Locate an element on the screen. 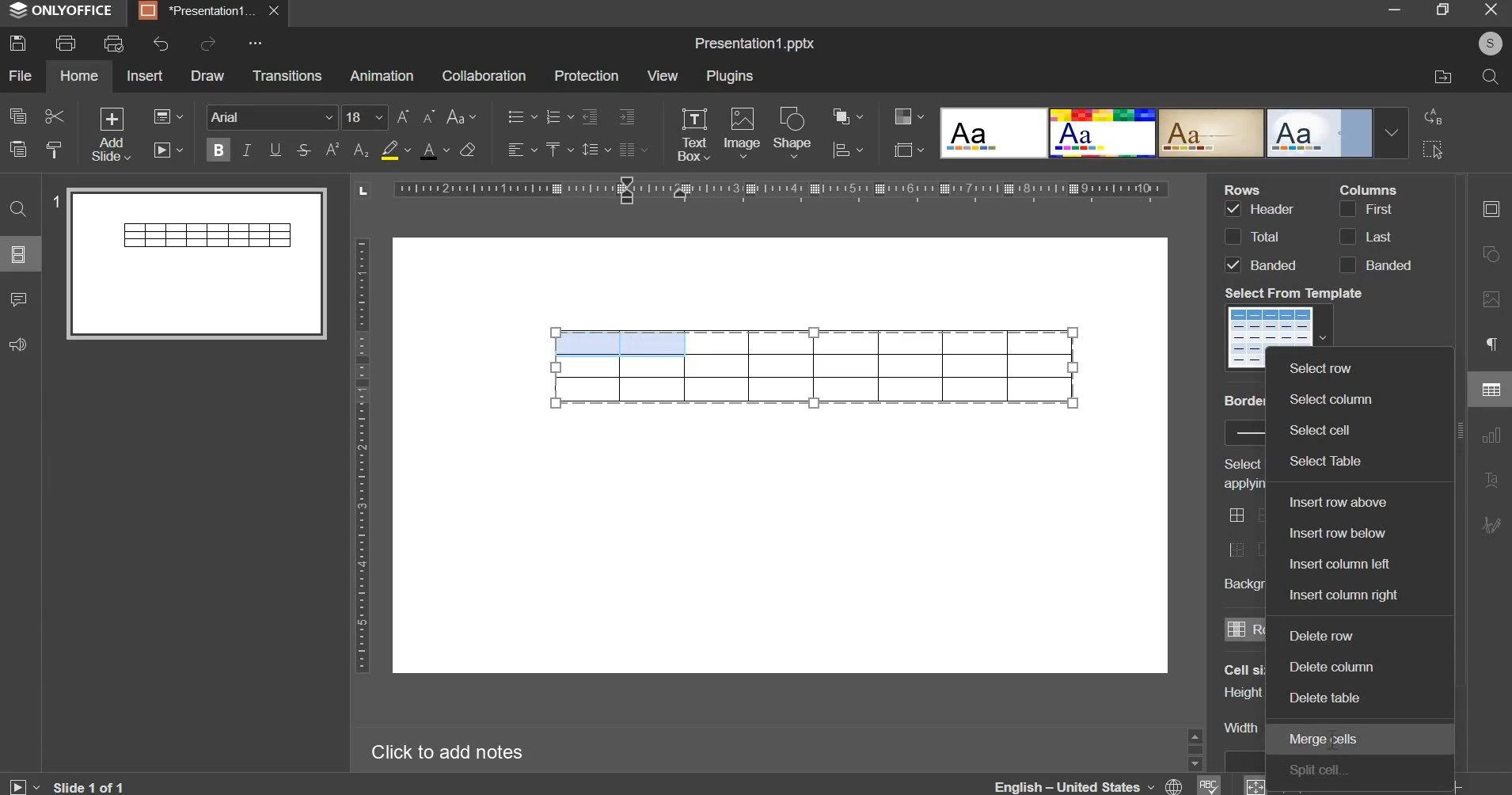 Image resolution: width=1512 pixels, height=795 pixels. Sidebar is located at coordinates (1194, 747).